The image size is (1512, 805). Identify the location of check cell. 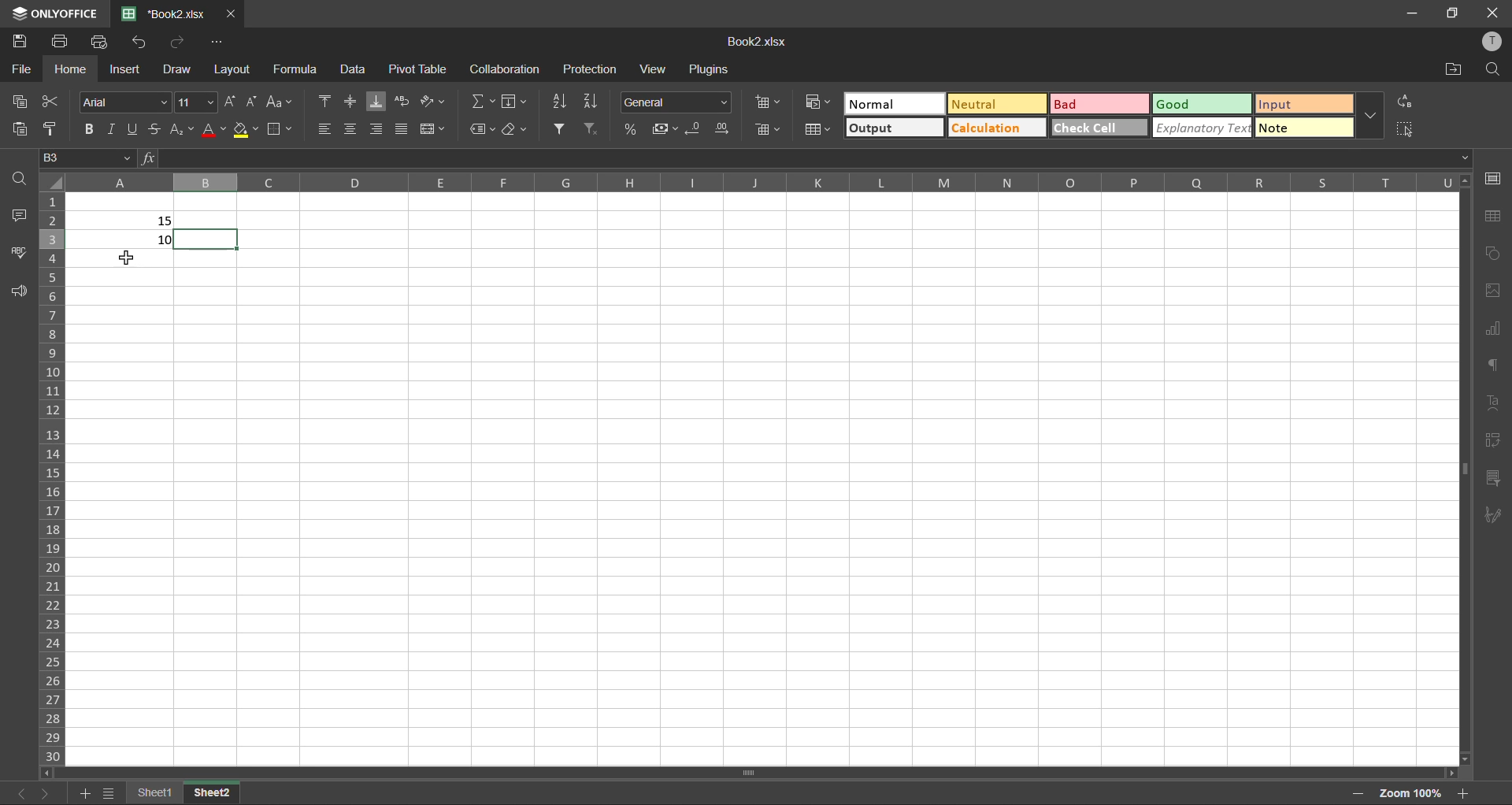
(1099, 127).